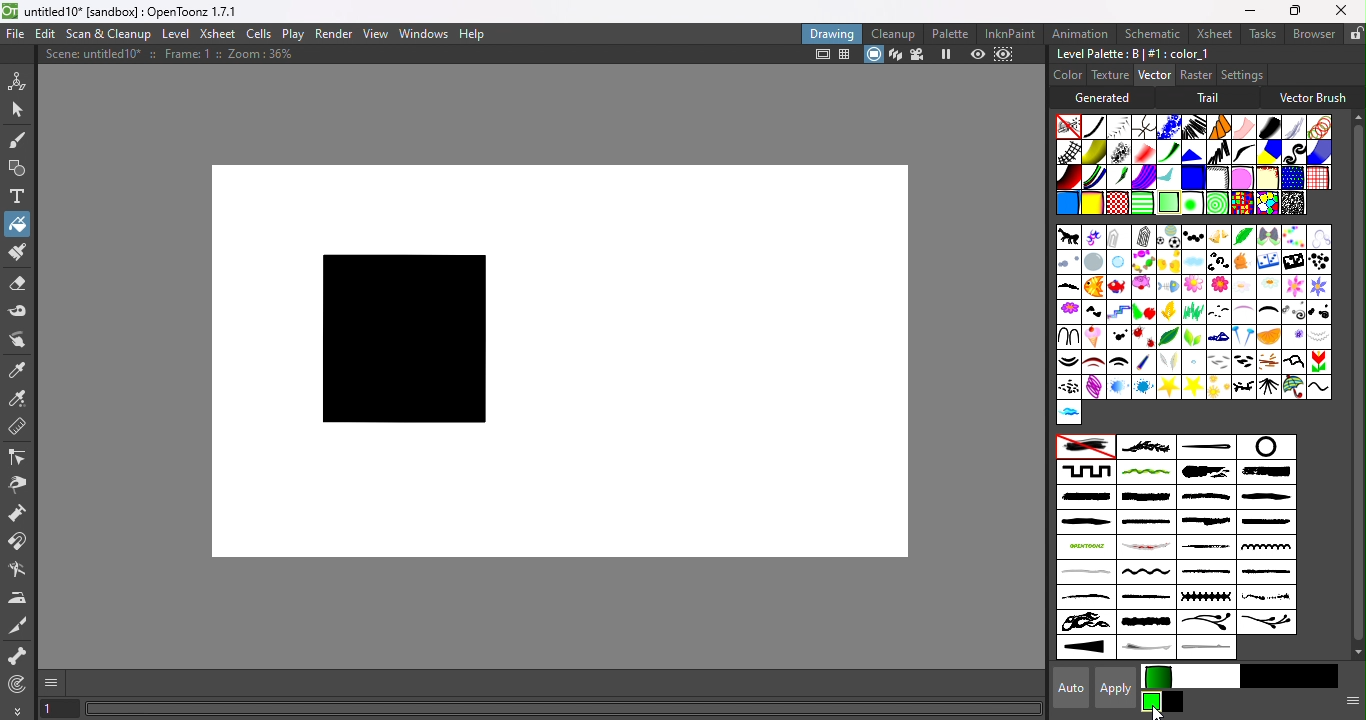 The image size is (1366, 720). I want to click on Color, so click(1068, 74).